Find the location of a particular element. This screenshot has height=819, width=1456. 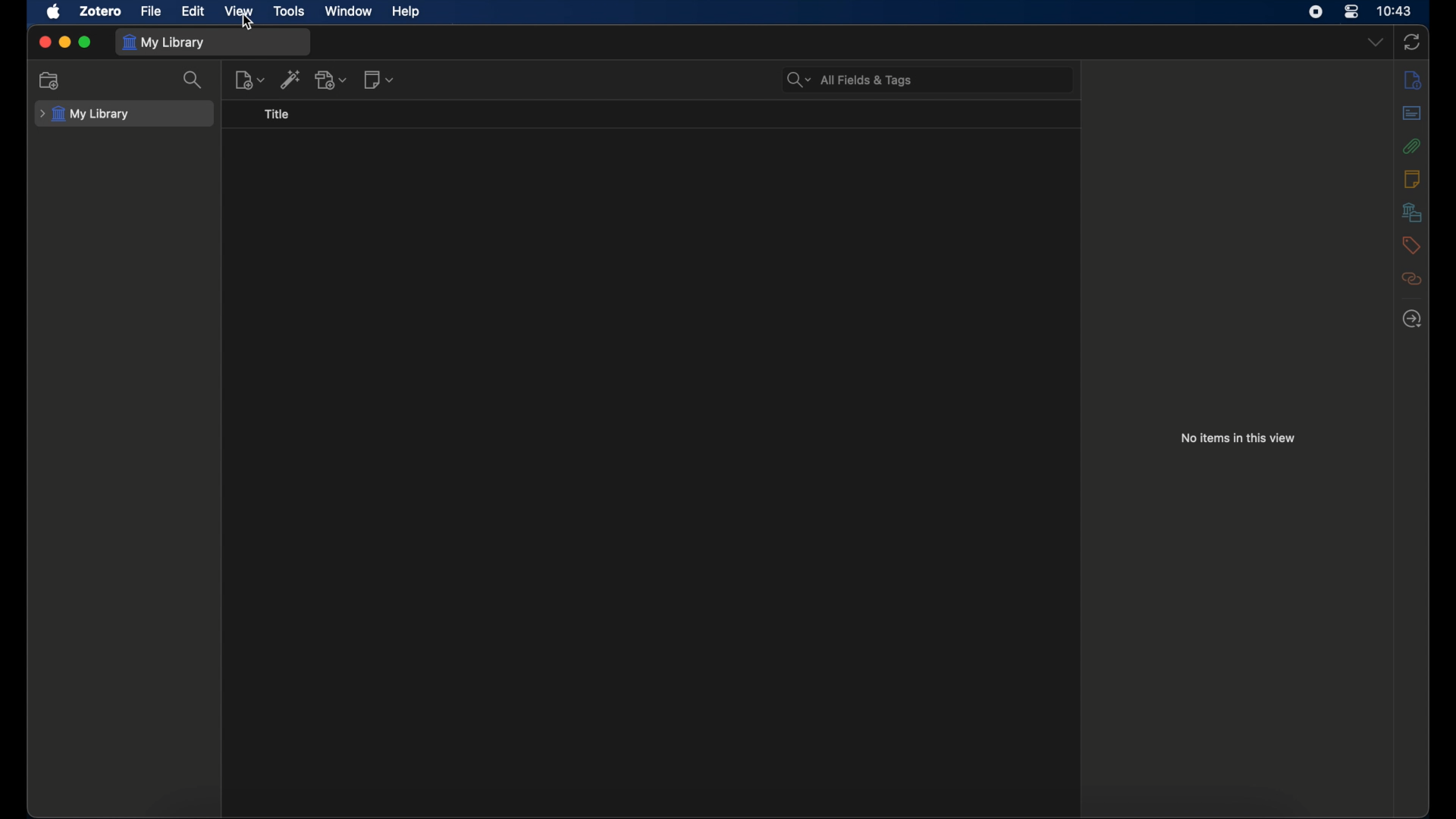

related is located at coordinates (1411, 278).